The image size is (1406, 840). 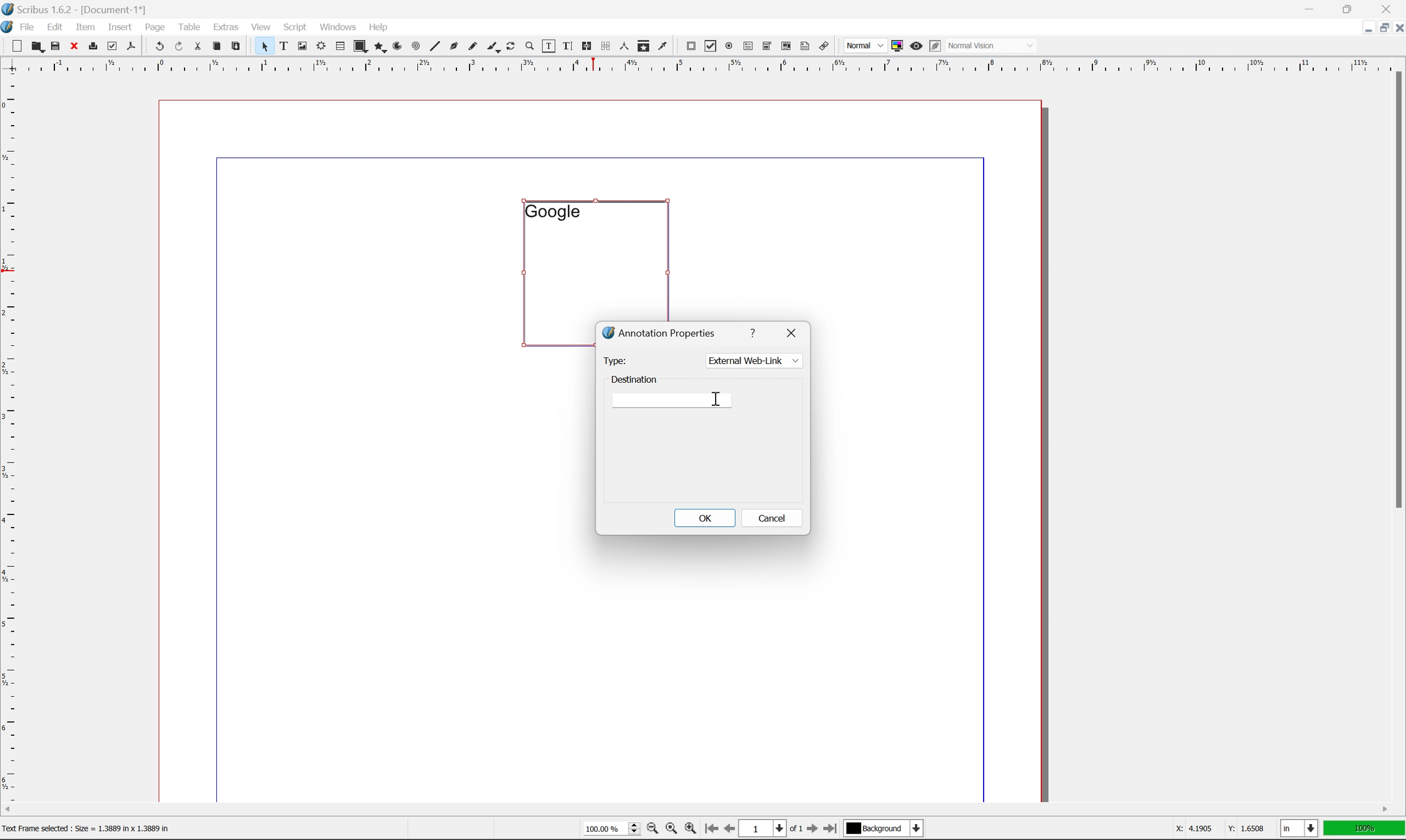 What do you see at coordinates (1396, 289) in the screenshot?
I see `scroll bar` at bounding box center [1396, 289].